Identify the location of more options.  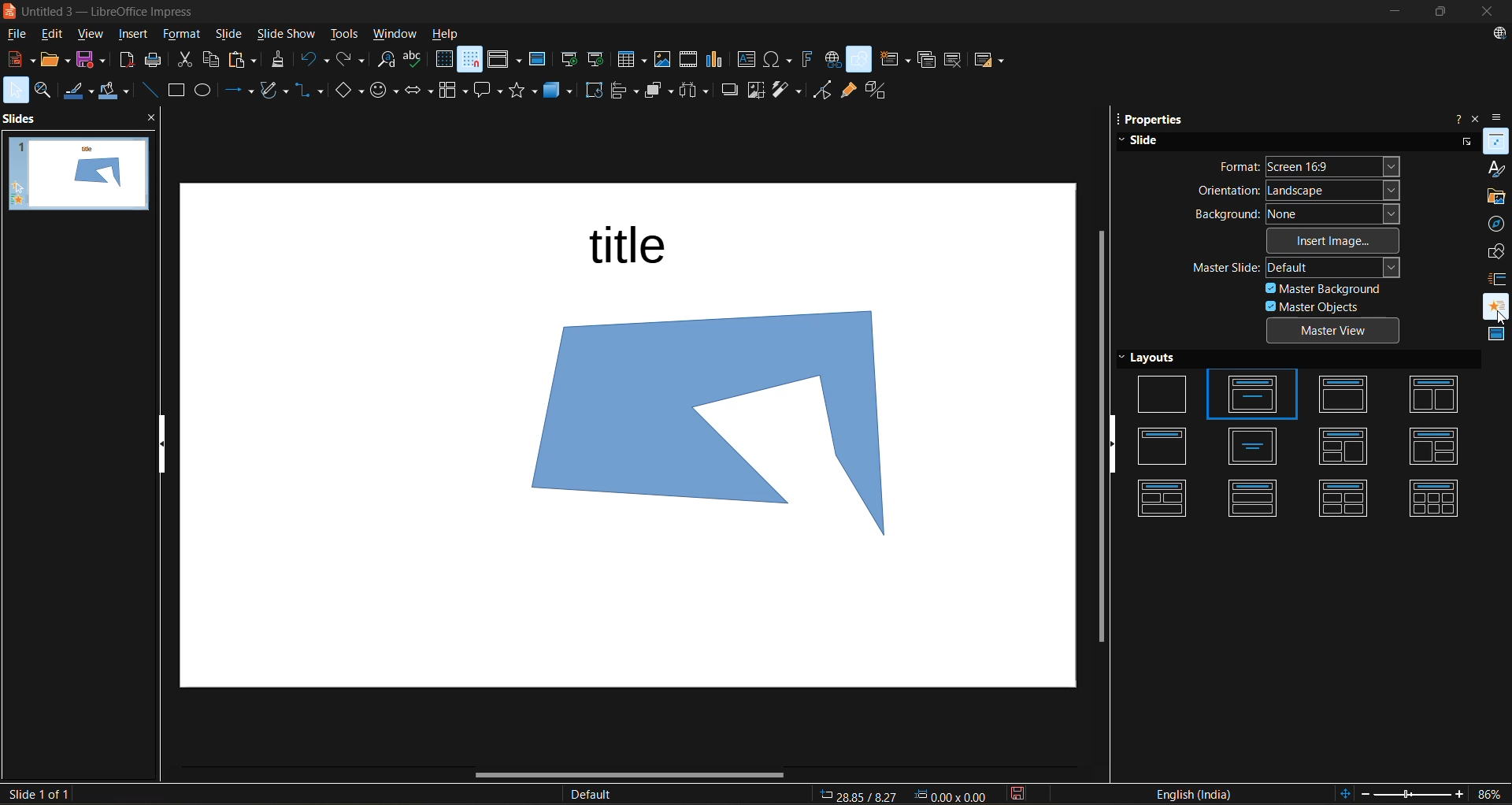
(1465, 142).